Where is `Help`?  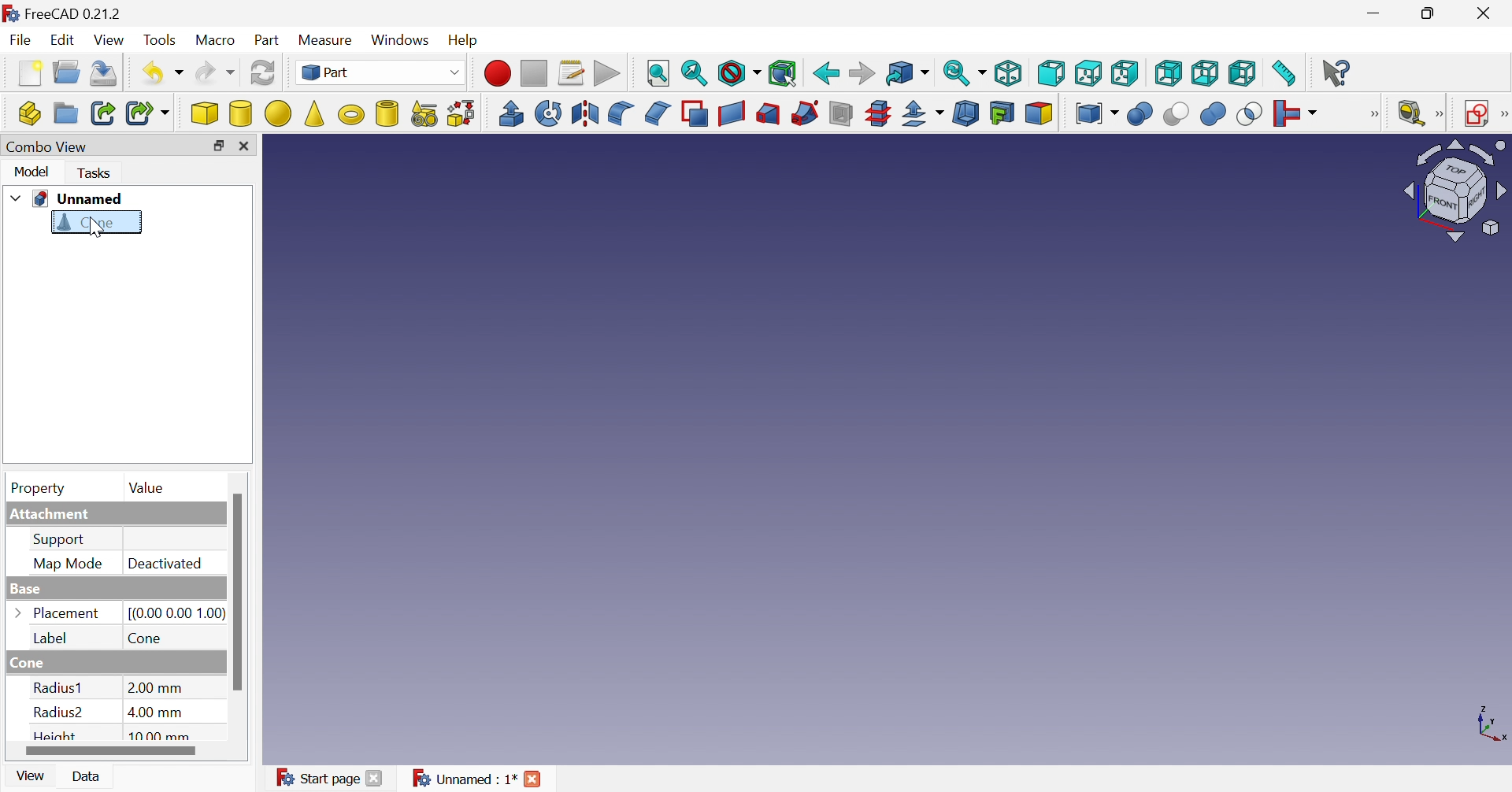 Help is located at coordinates (465, 41).